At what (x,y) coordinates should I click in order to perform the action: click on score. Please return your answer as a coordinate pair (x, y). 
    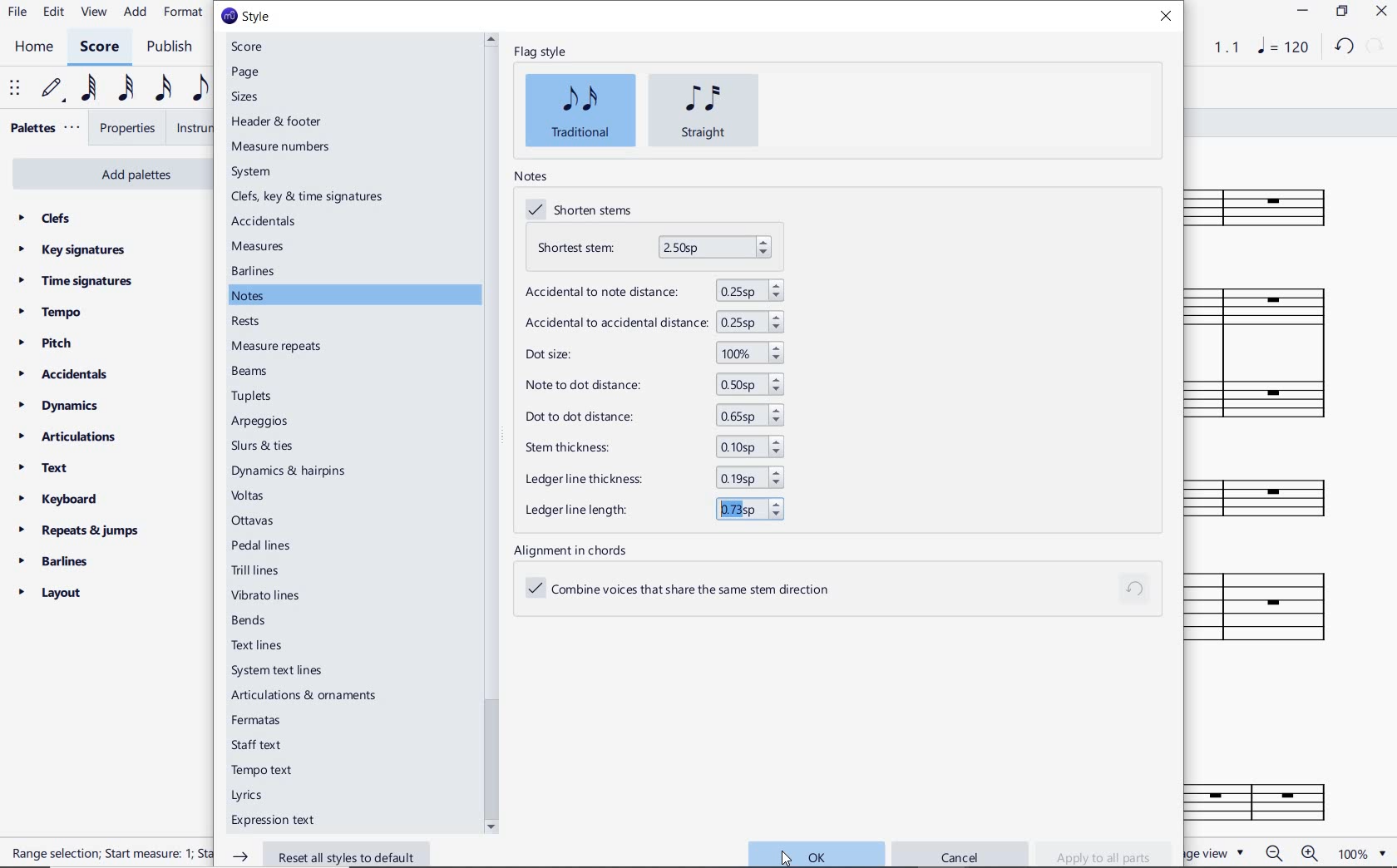
    Looking at the image, I should click on (248, 47).